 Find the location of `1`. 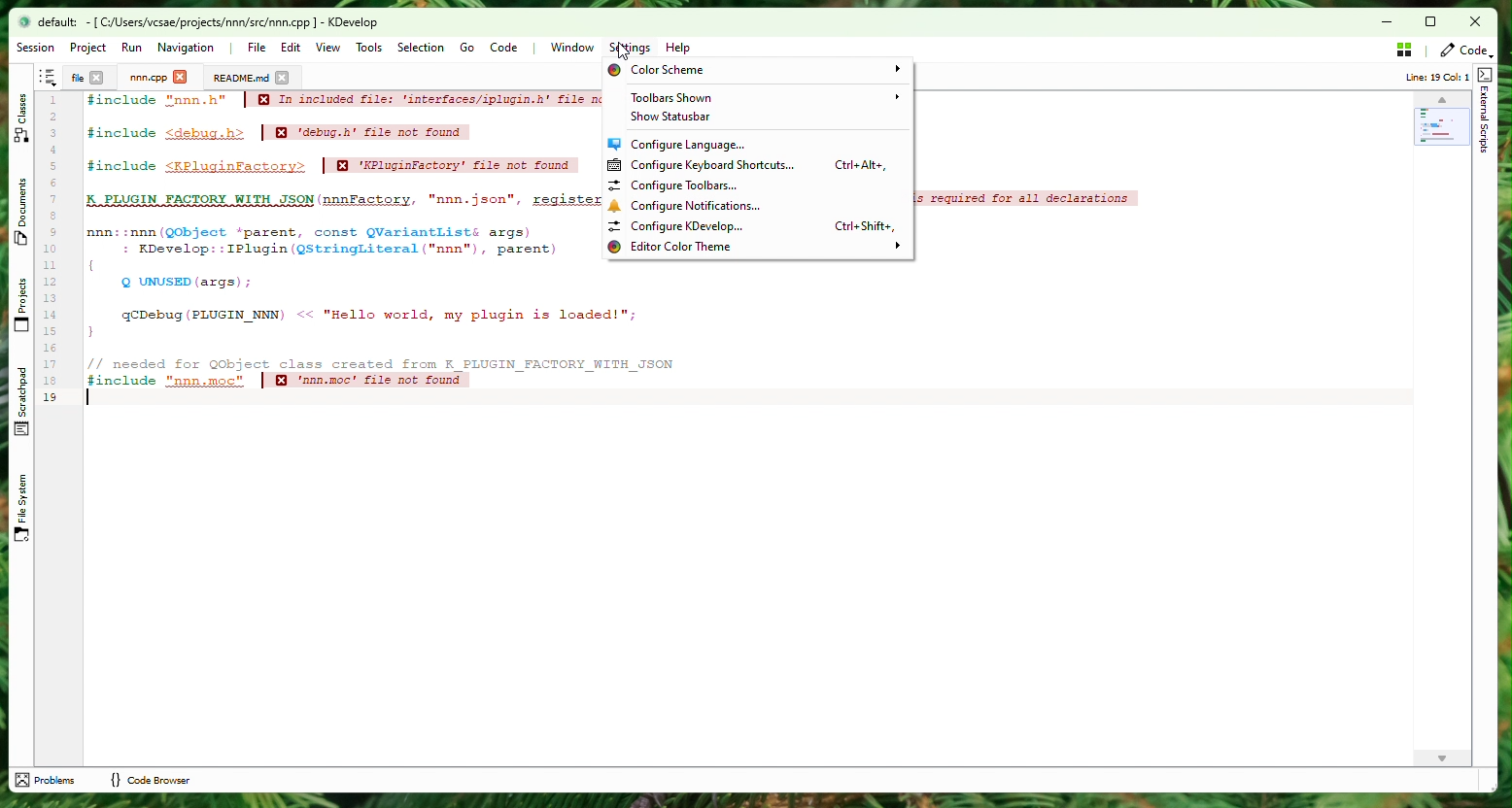

1 is located at coordinates (52, 100).